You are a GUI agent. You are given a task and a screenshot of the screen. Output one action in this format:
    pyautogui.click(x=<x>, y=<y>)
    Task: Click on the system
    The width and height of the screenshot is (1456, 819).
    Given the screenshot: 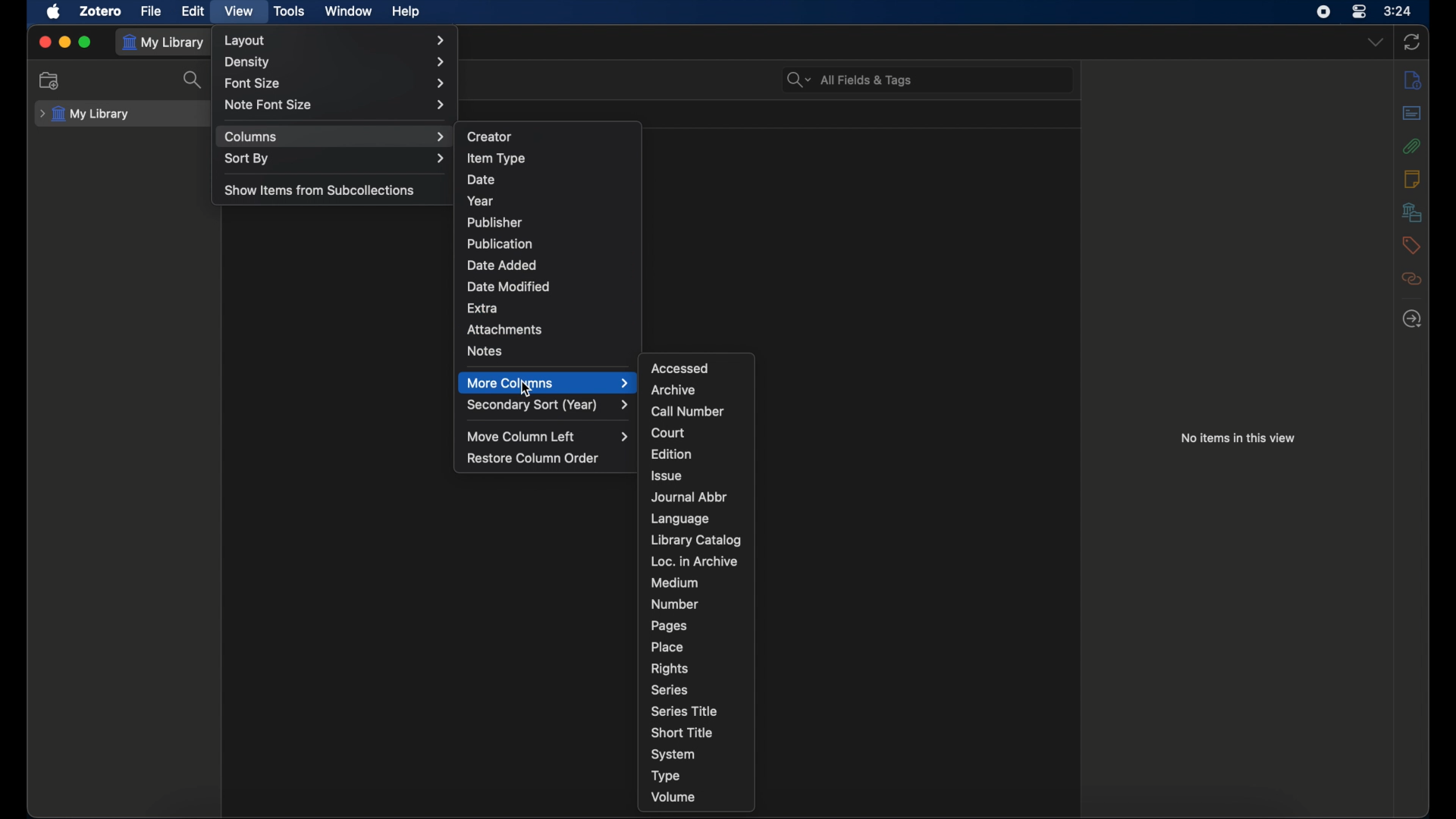 What is the action you would take?
    pyautogui.click(x=673, y=755)
    